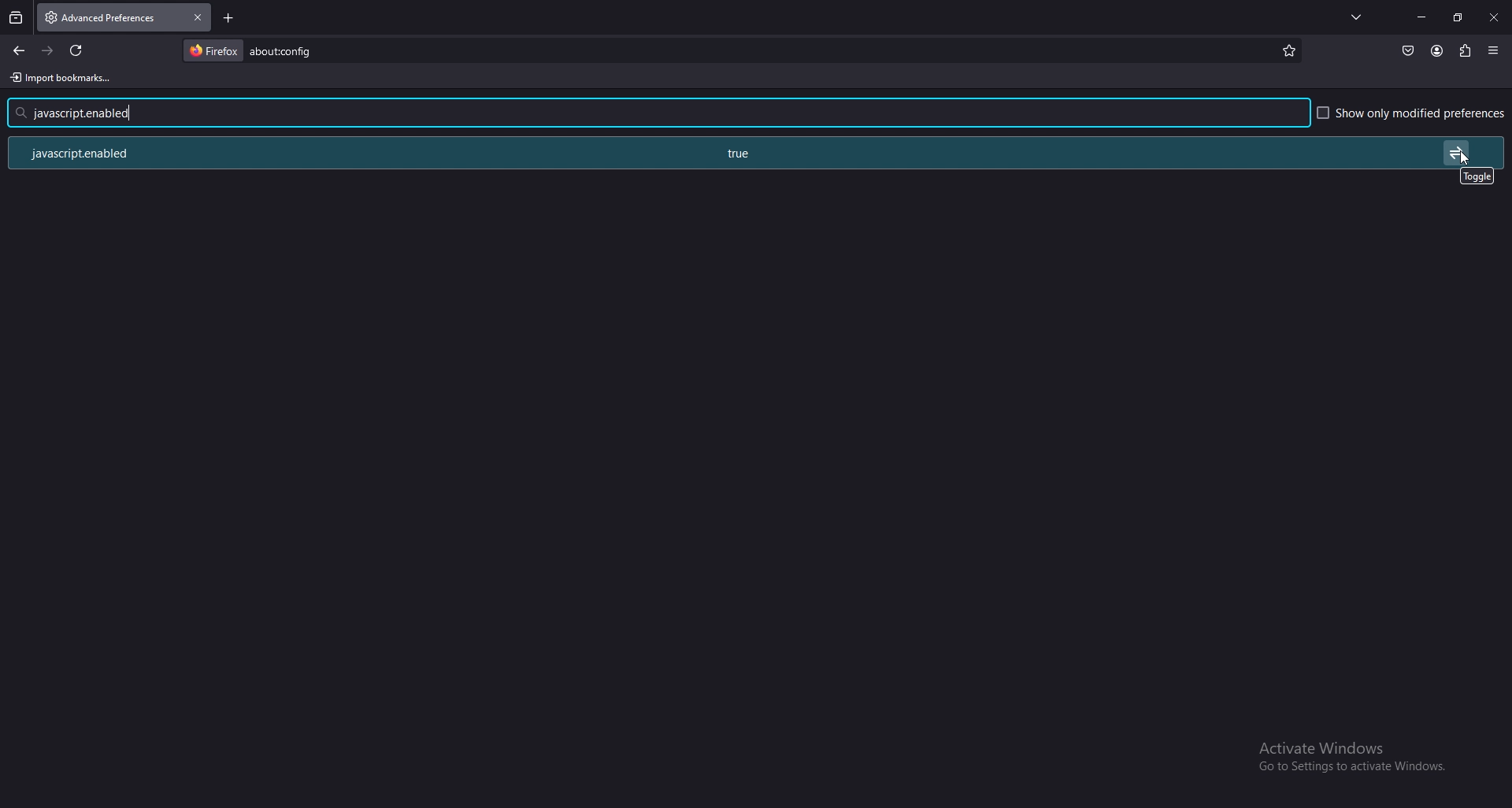 The width and height of the screenshot is (1512, 808). Describe the element at coordinates (1358, 16) in the screenshot. I see `list all tabs` at that location.